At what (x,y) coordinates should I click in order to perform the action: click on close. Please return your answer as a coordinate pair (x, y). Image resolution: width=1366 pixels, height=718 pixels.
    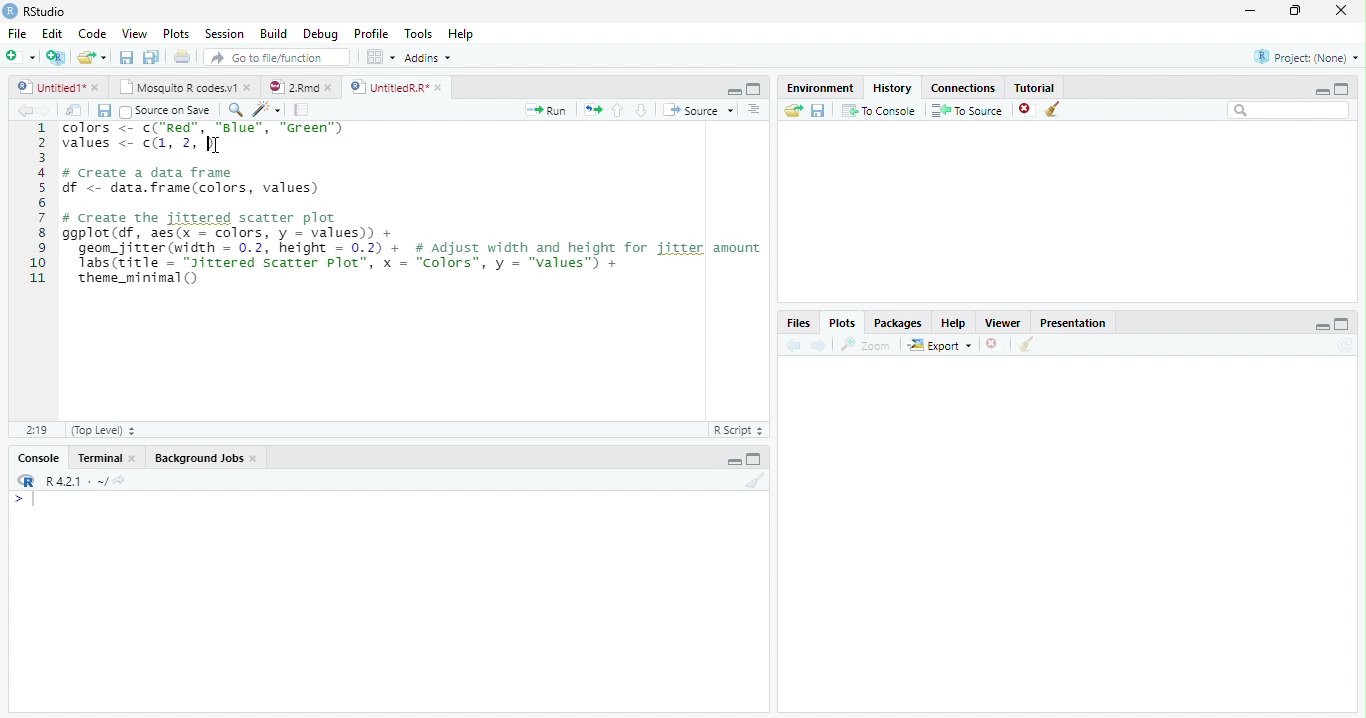
    Looking at the image, I should click on (95, 88).